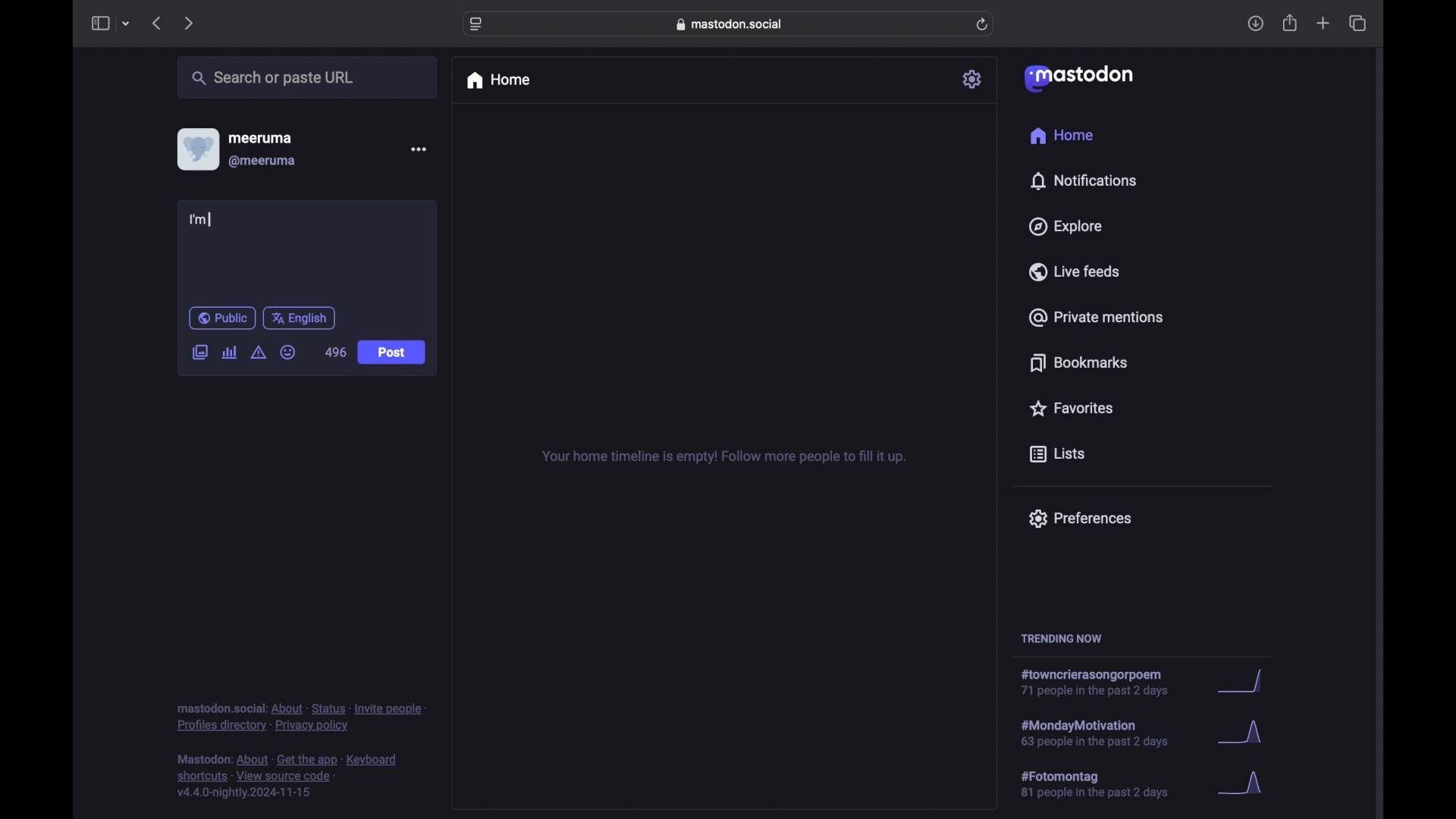 This screenshot has width=1456, height=819. What do you see at coordinates (210, 220) in the screenshot?
I see `text cursor` at bounding box center [210, 220].